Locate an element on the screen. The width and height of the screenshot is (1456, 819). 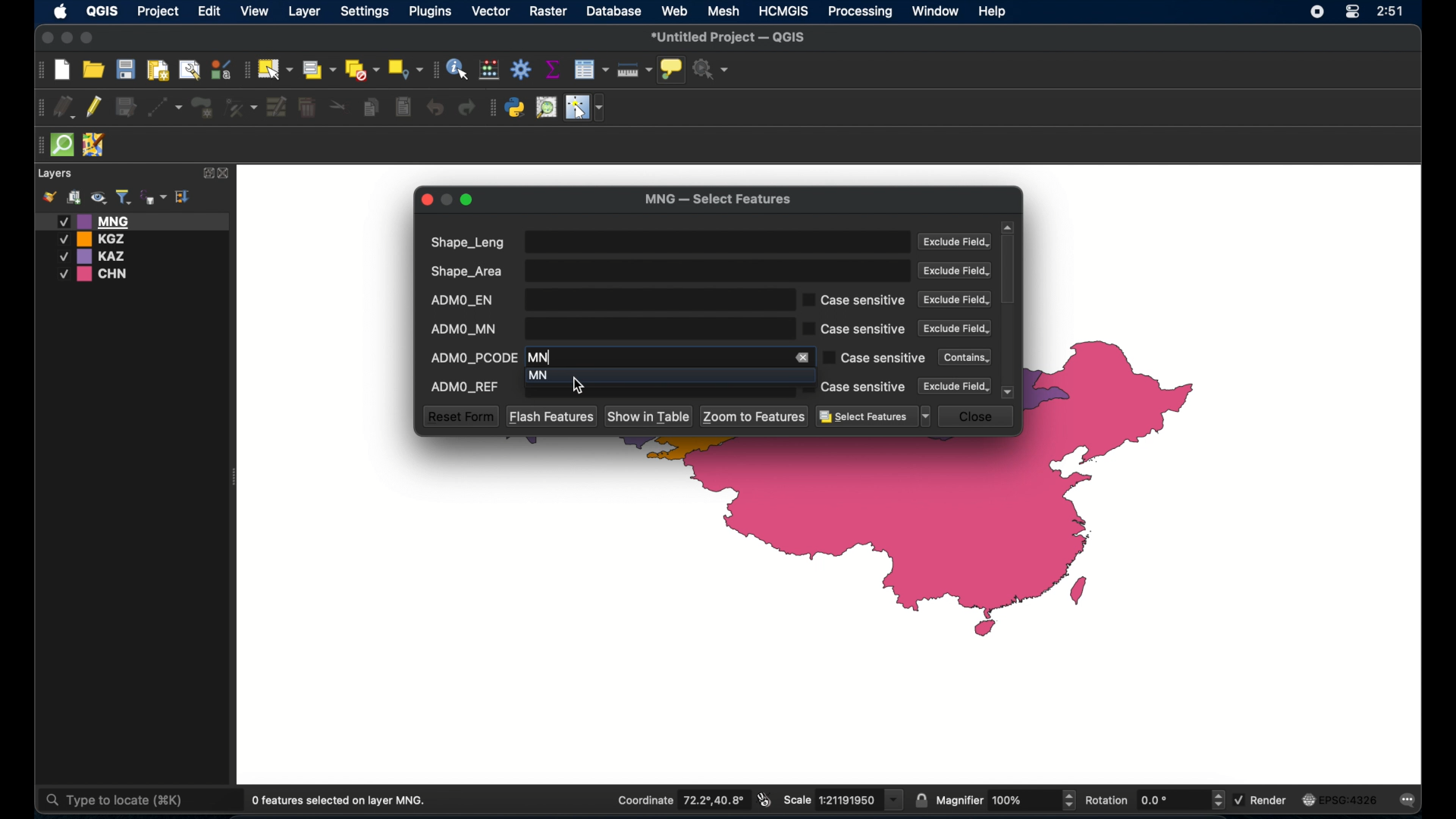
select by area or single click is located at coordinates (316, 68).